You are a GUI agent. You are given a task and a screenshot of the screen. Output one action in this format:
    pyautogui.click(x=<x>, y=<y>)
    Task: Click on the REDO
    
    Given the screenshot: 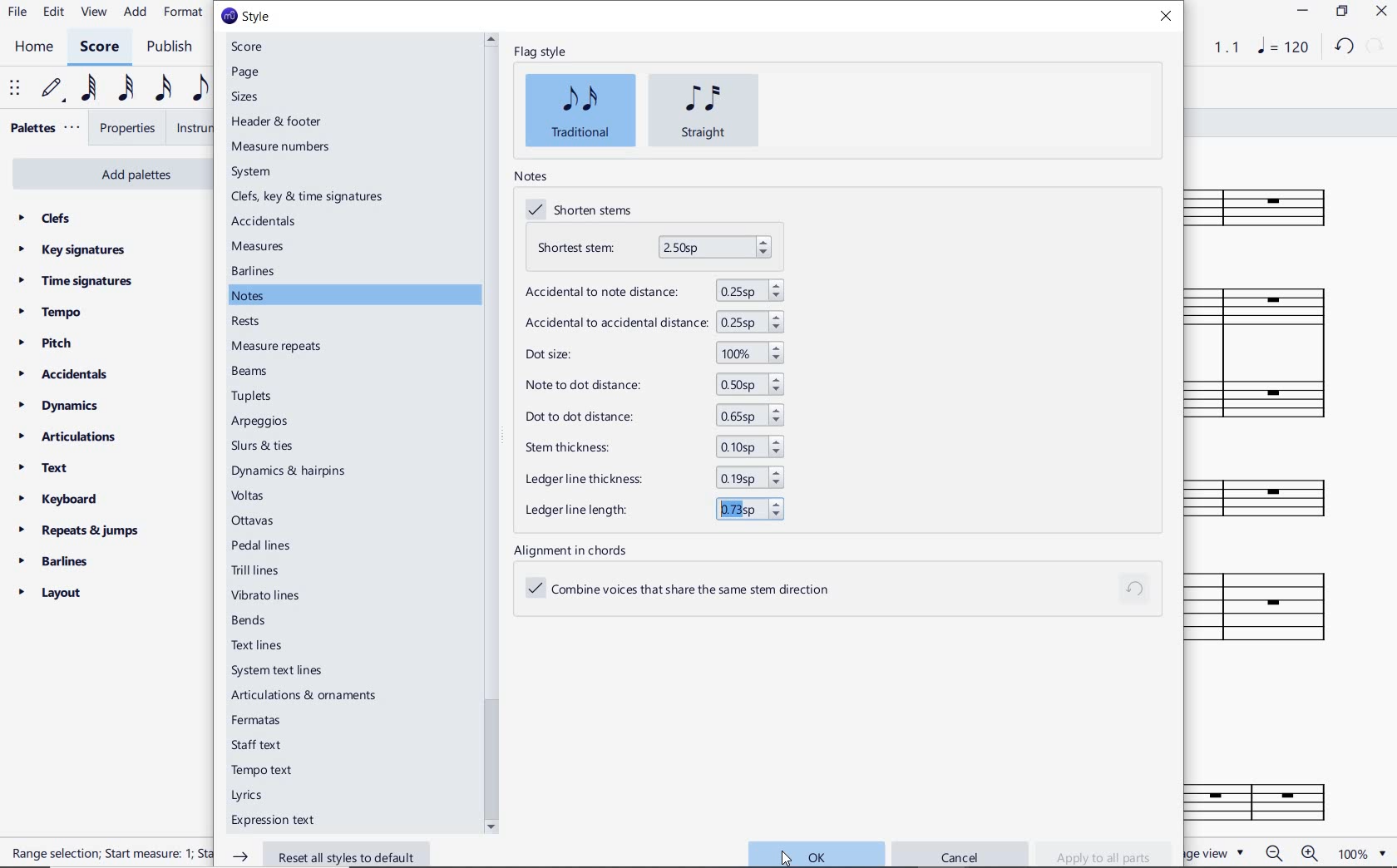 What is the action you would take?
    pyautogui.click(x=1376, y=47)
    